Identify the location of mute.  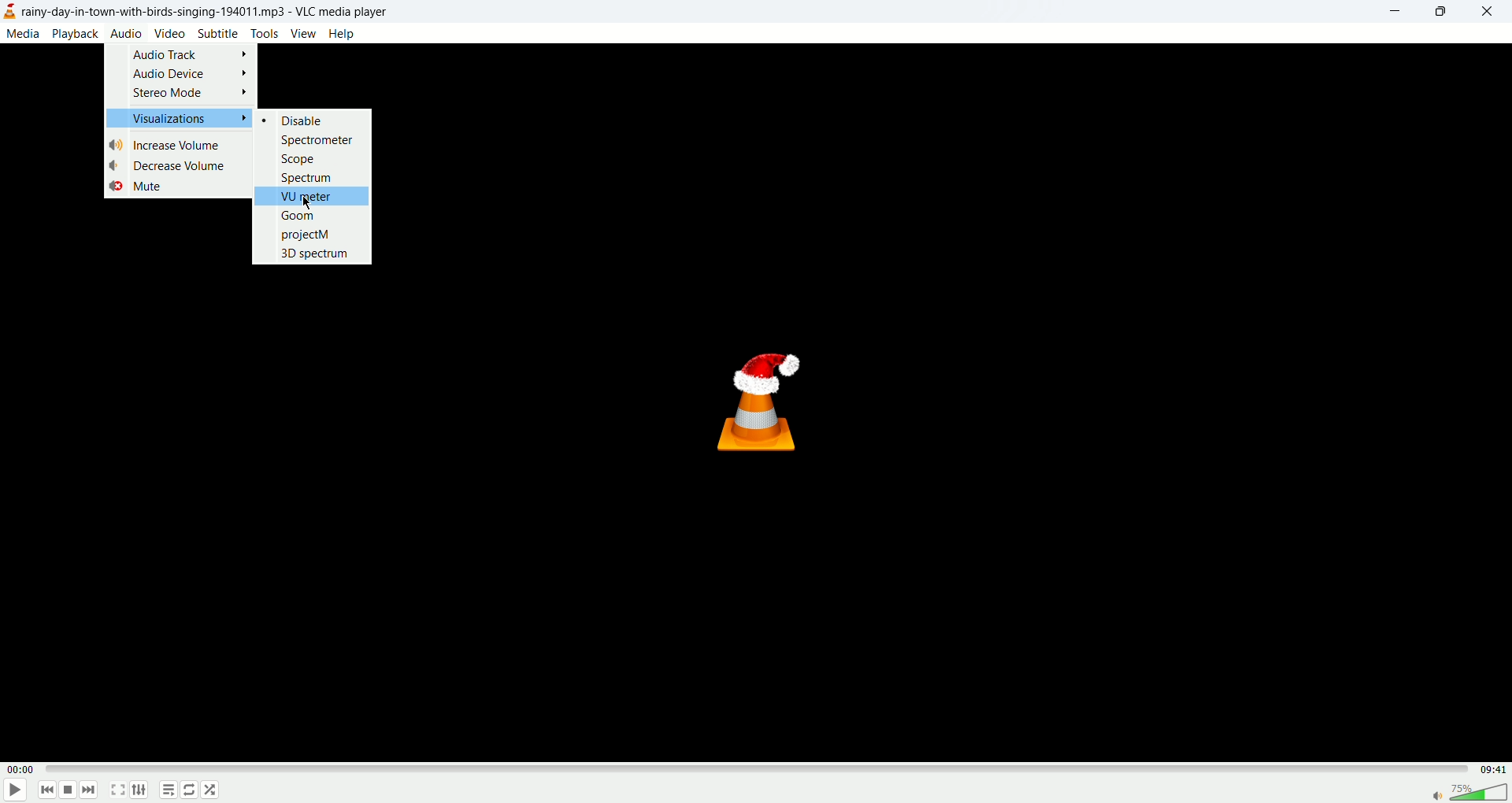
(134, 188).